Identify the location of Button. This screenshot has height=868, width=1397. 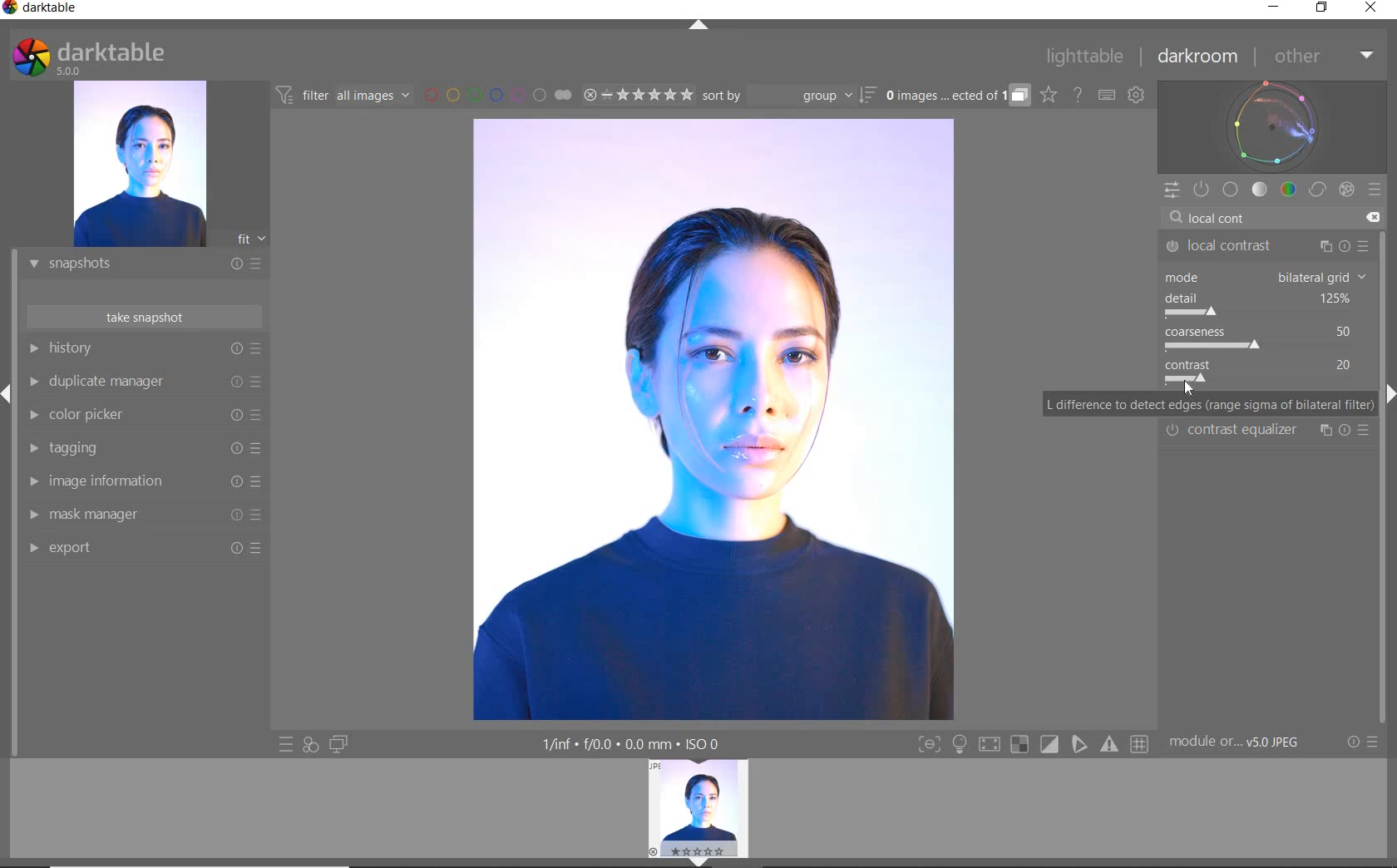
(1050, 745).